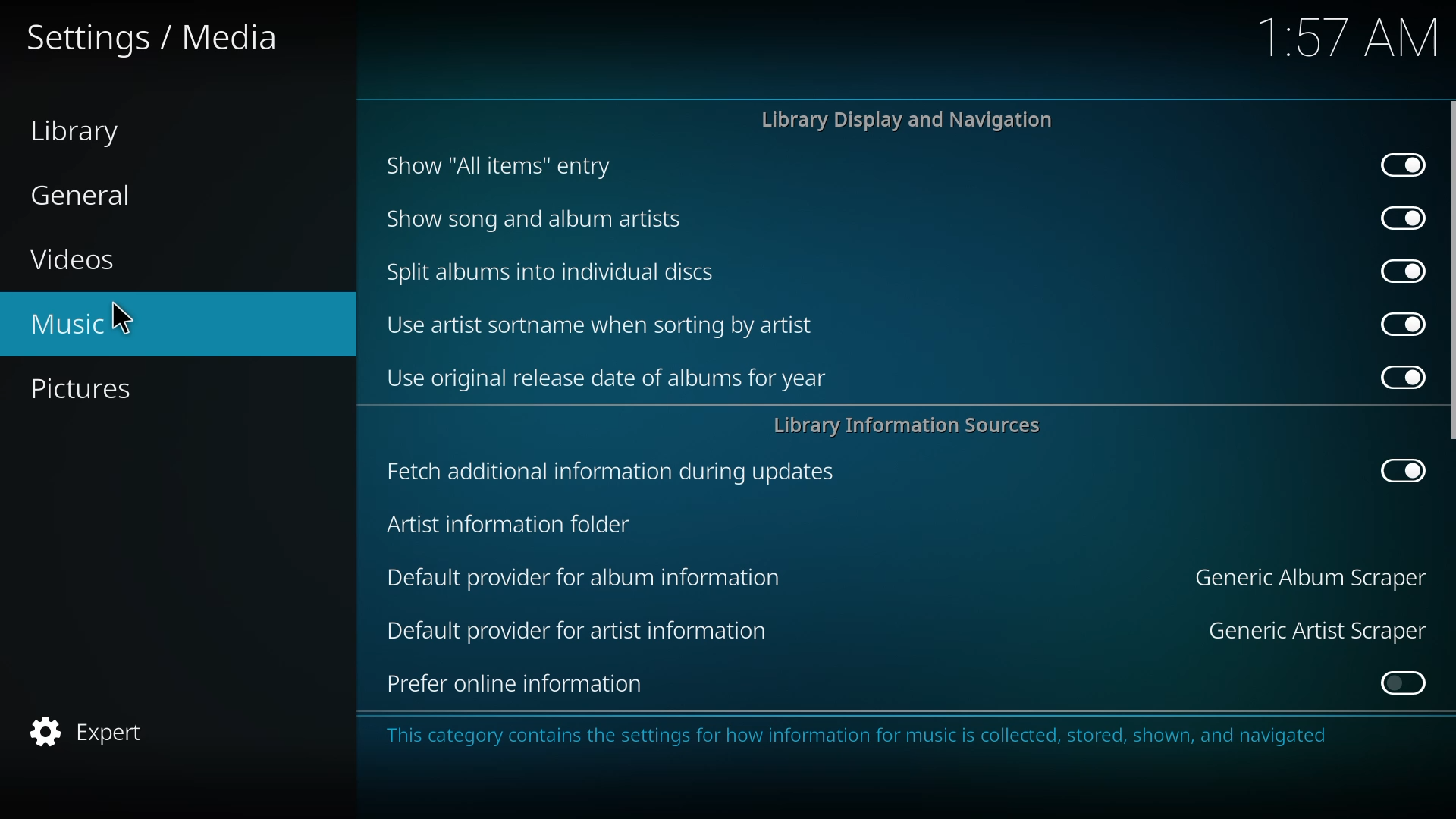 The height and width of the screenshot is (819, 1456). Describe the element at coordinates (1307, 576) in the screenshot. I see `generic` at that location.